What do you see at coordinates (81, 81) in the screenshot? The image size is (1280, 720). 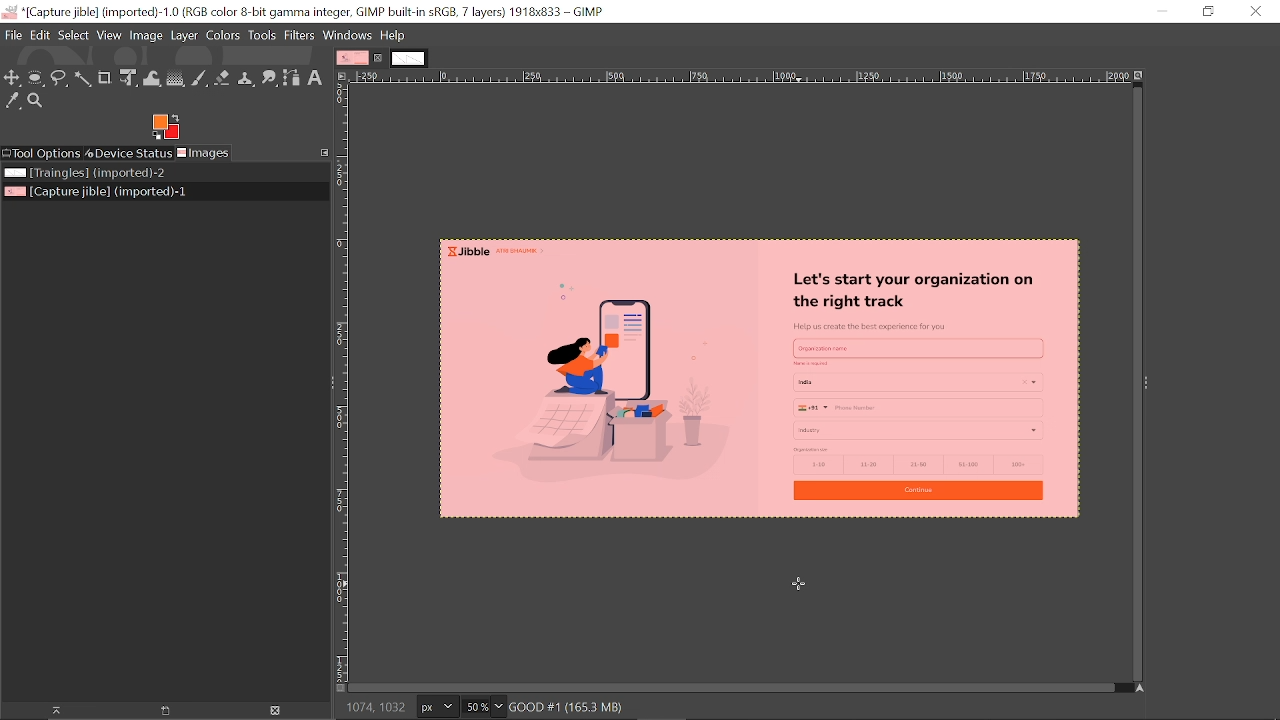 I see `Fuzzy select tool` at bounding box center [81, 81].